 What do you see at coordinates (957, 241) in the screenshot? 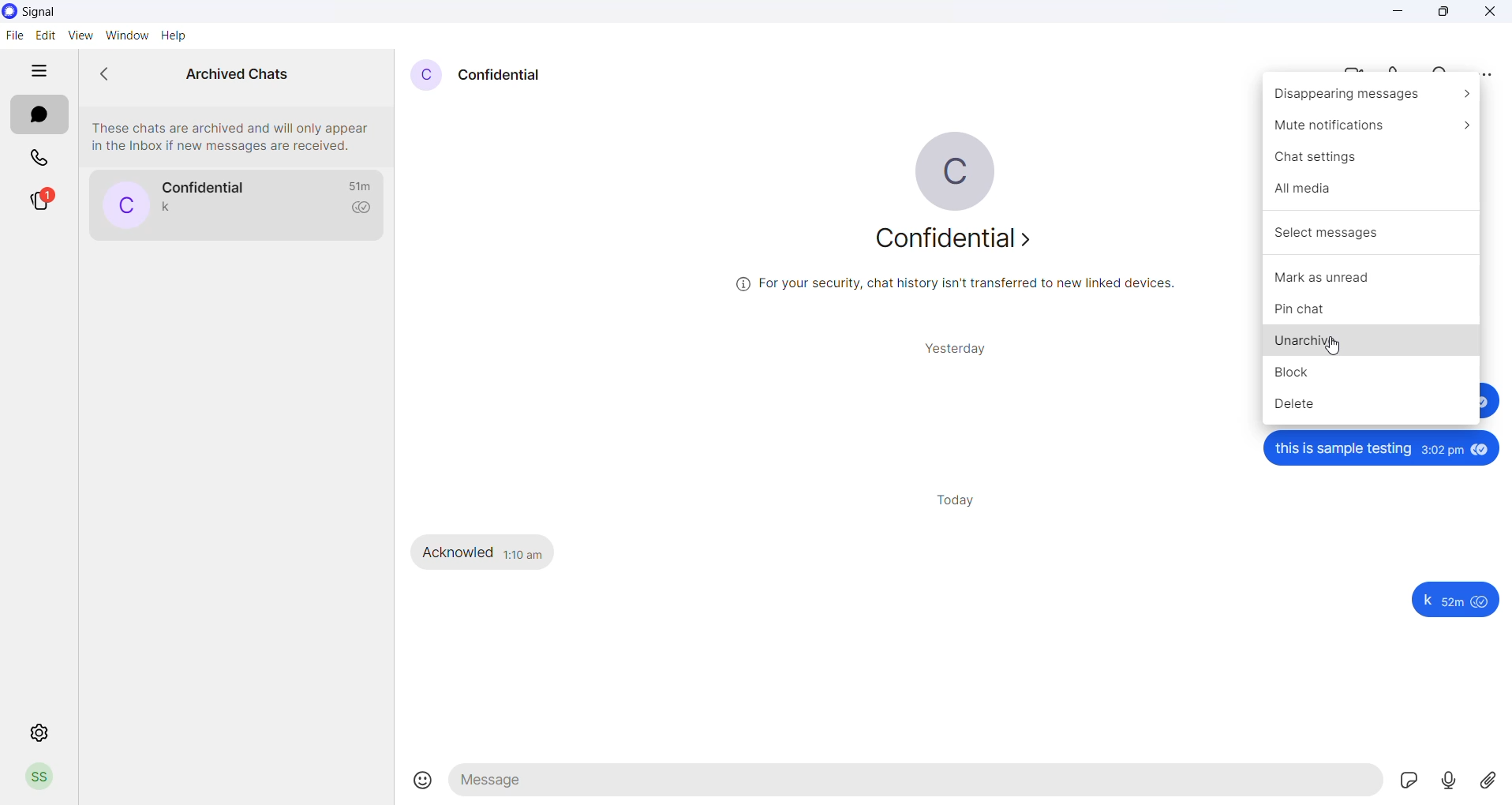
I see `about contact` at bounding box center [957, 241].